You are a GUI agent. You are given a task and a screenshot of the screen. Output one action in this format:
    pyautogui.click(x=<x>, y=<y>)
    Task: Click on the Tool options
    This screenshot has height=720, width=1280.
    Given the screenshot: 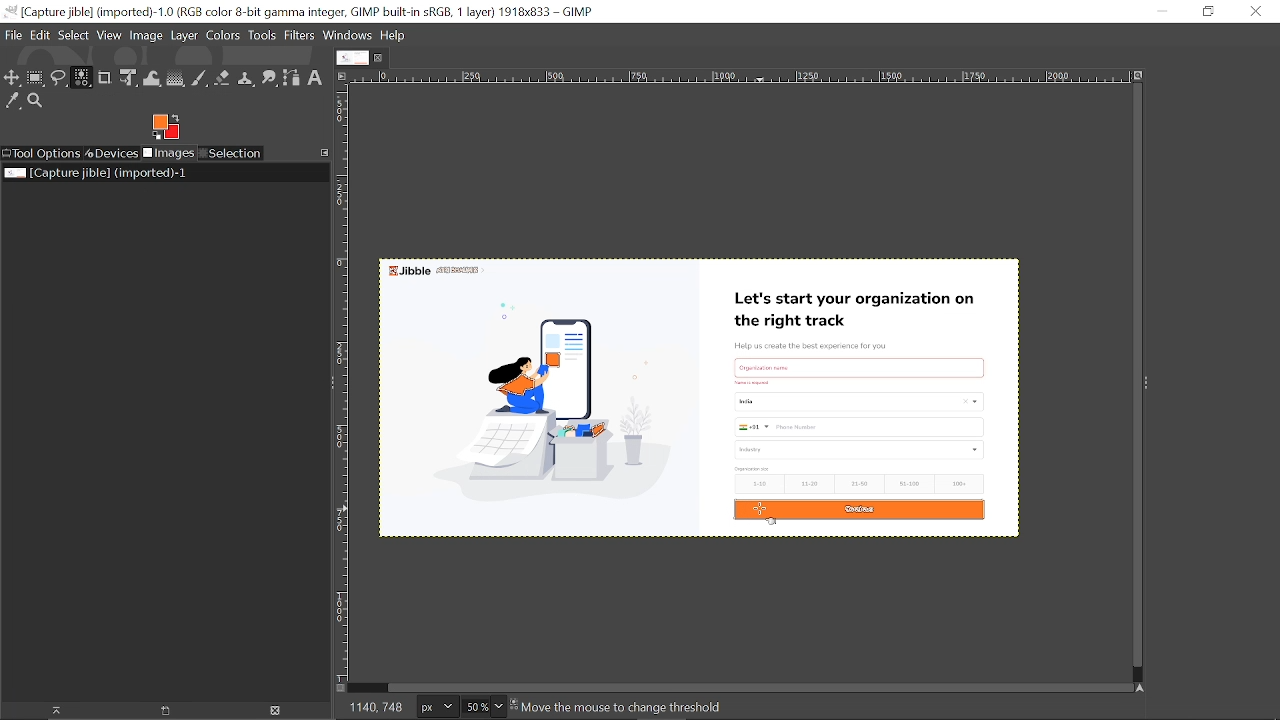 What is the action you would take?
    pyautogui.click(x=41, y=154)
    